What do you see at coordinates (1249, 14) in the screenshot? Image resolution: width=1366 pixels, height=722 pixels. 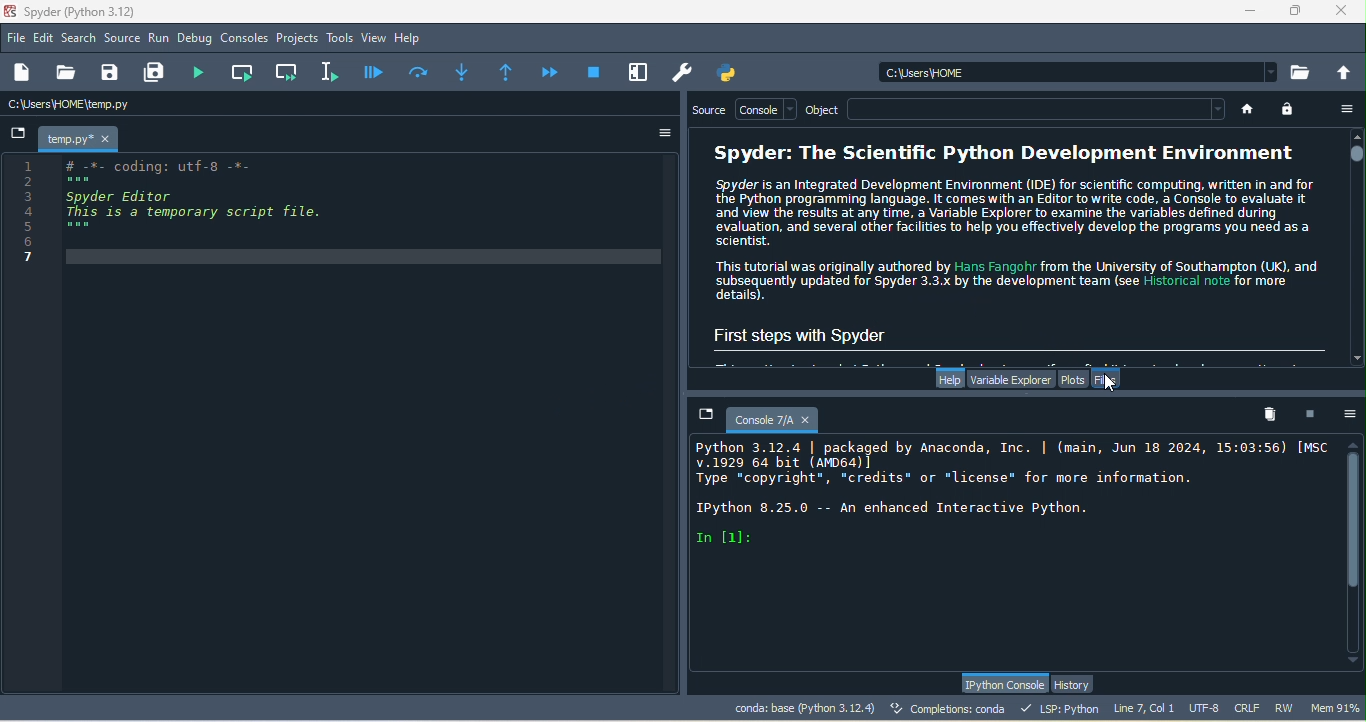 I see `minimize` at bounding box center [1249, 14].